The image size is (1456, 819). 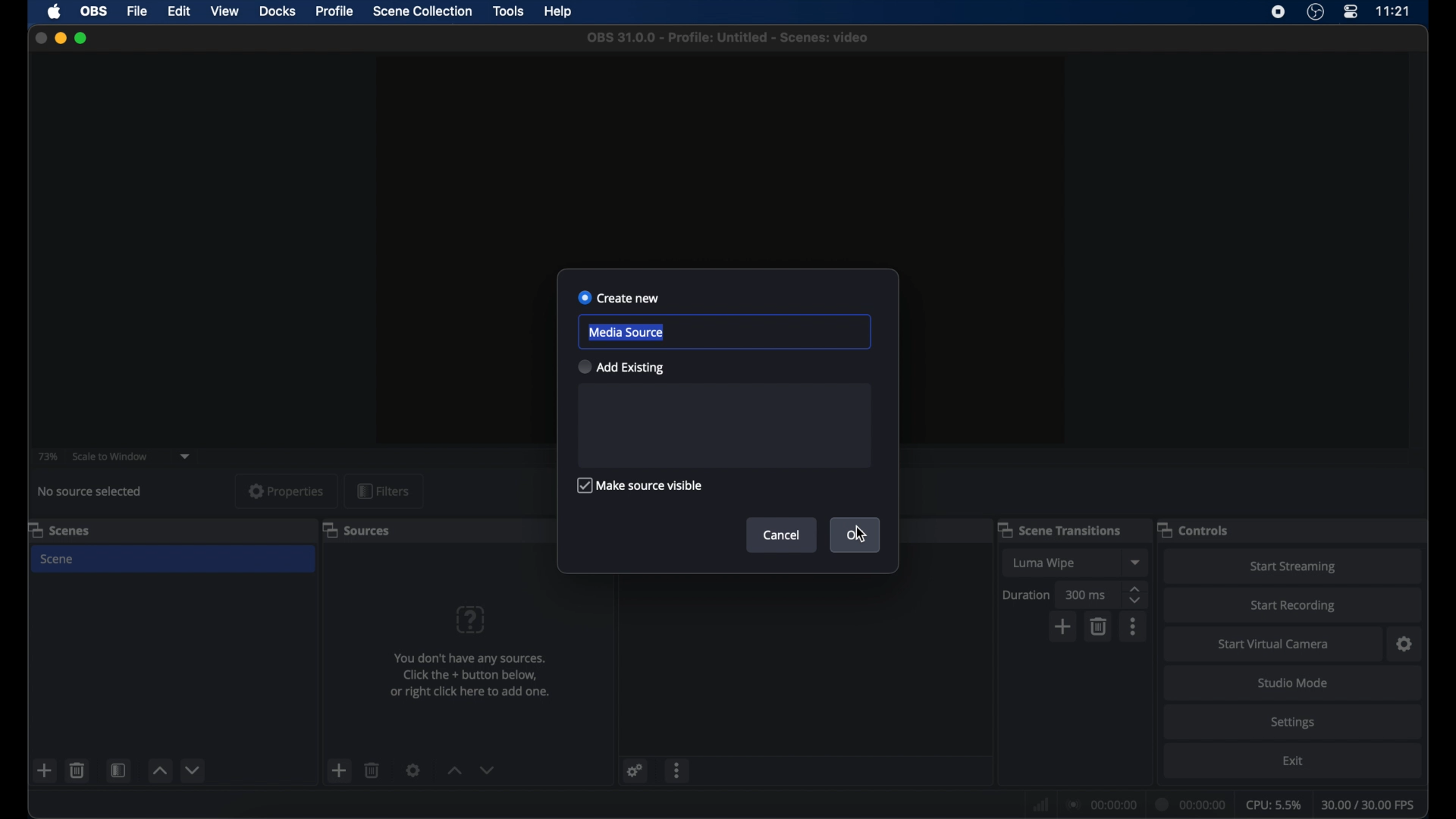 I want to click on studio mode, so click(x=1293, y=682).